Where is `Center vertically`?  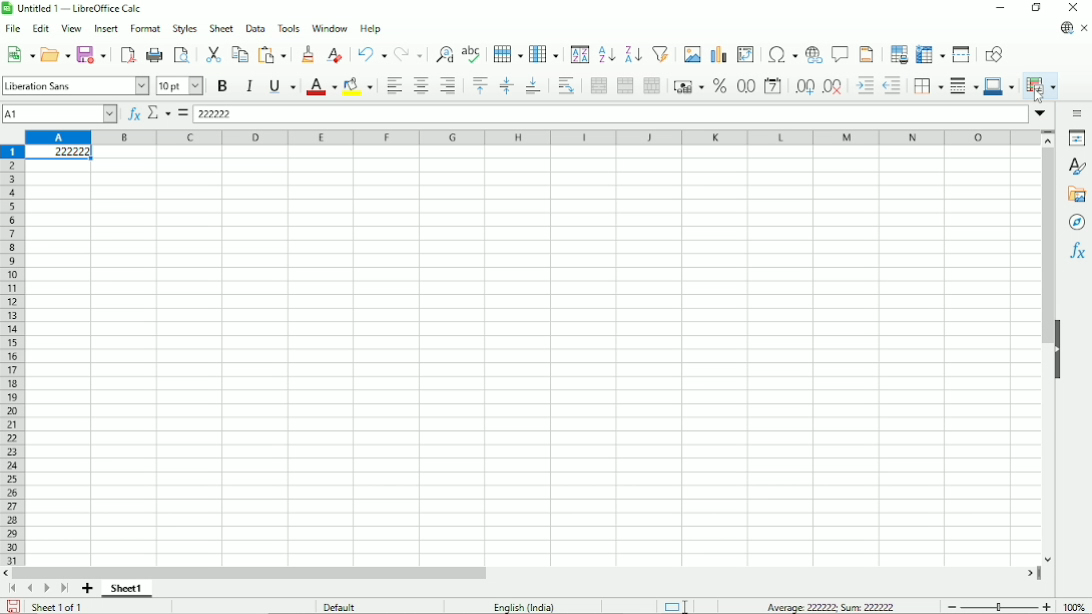
Center vertically is located at coordinates (505, 86).